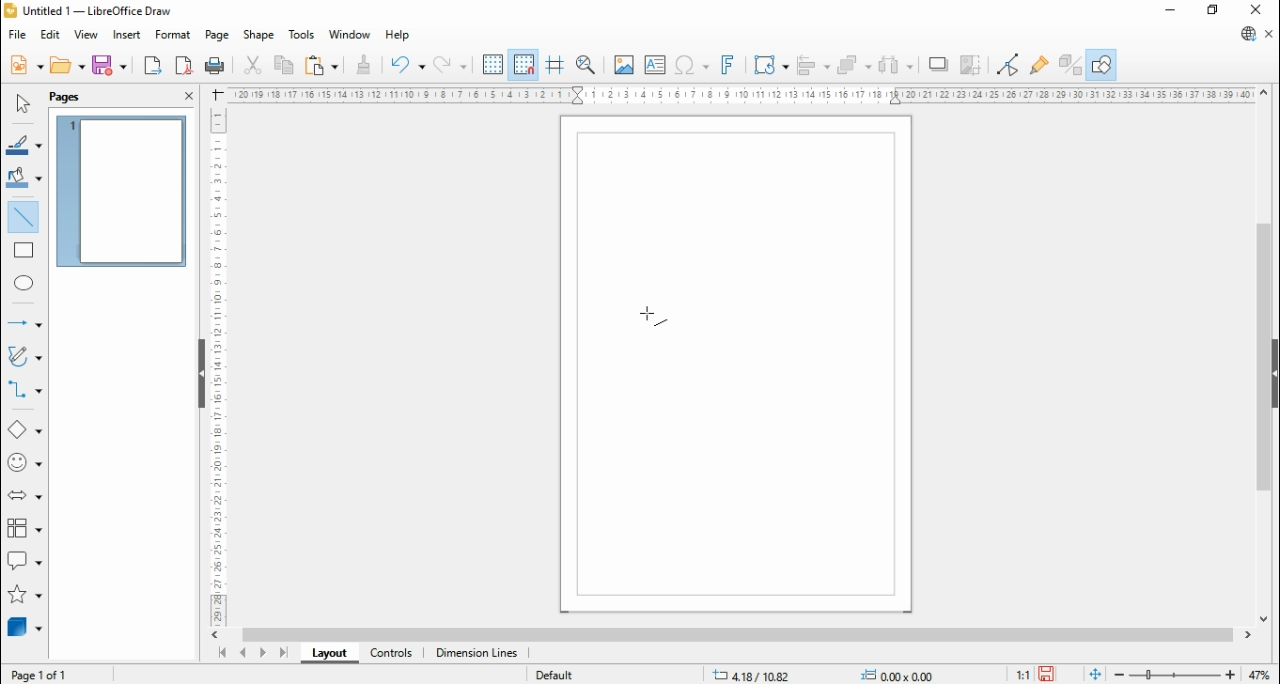  I want to click on dimension lines, so click(477, 654).